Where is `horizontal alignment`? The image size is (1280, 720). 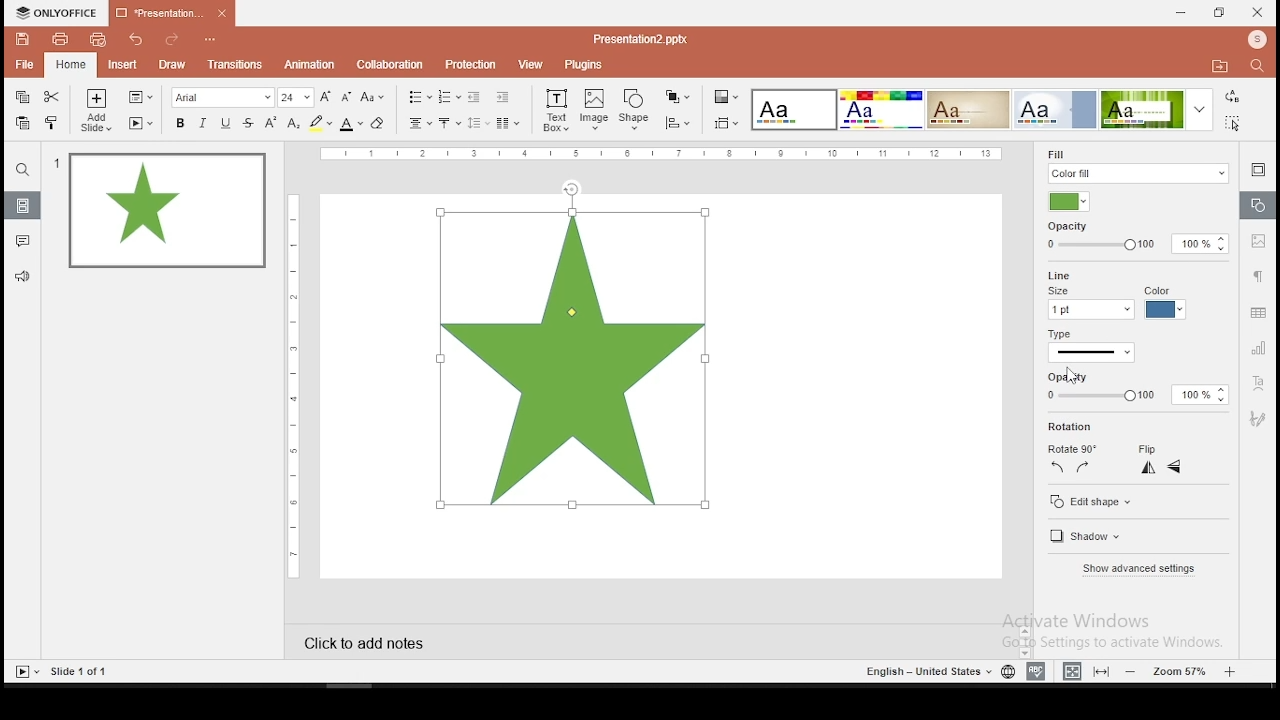 horizontal alignment is located at coordinates (420, 124).